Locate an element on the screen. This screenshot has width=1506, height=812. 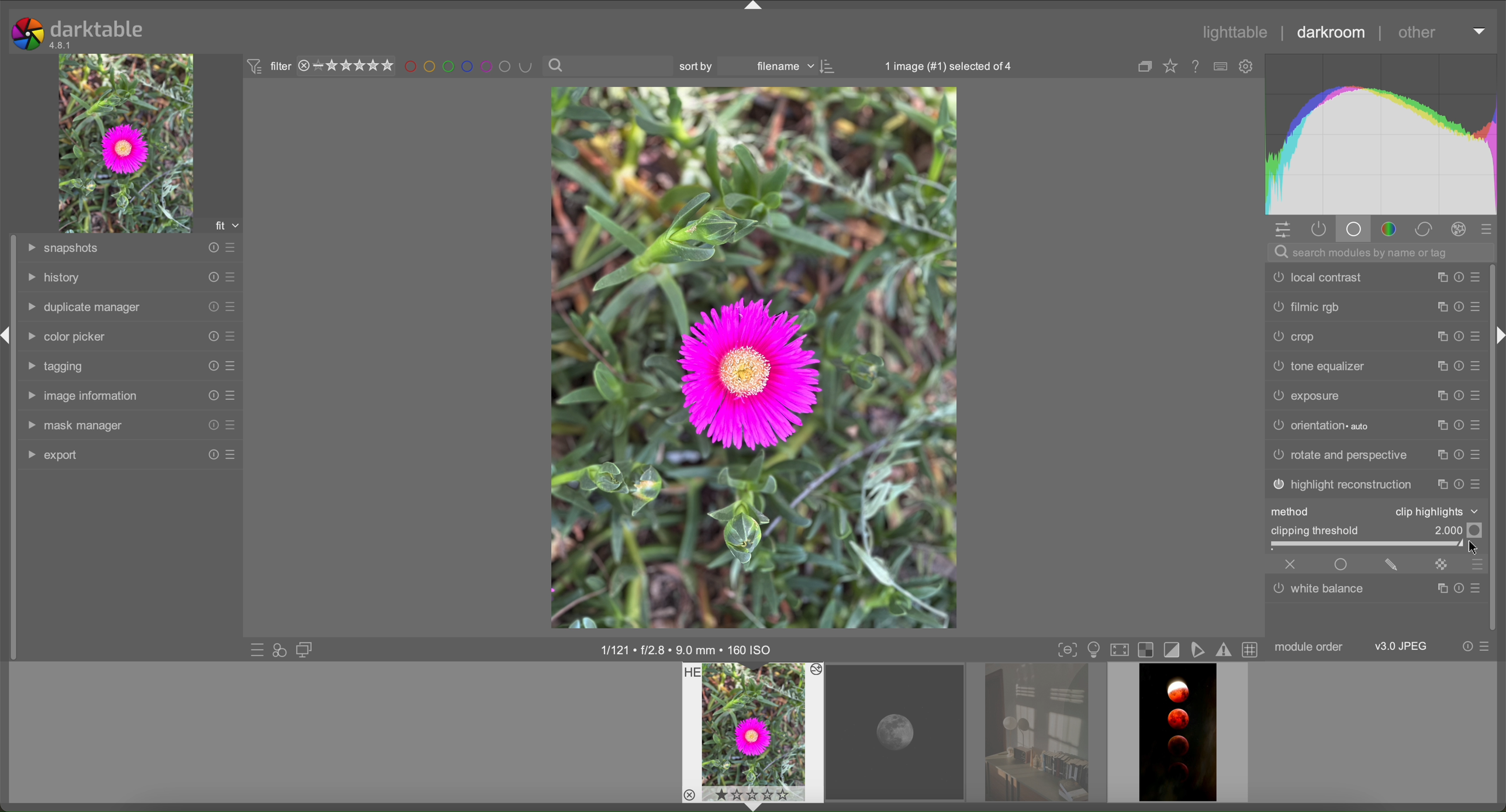
image information is located at coordinates (688, 649).